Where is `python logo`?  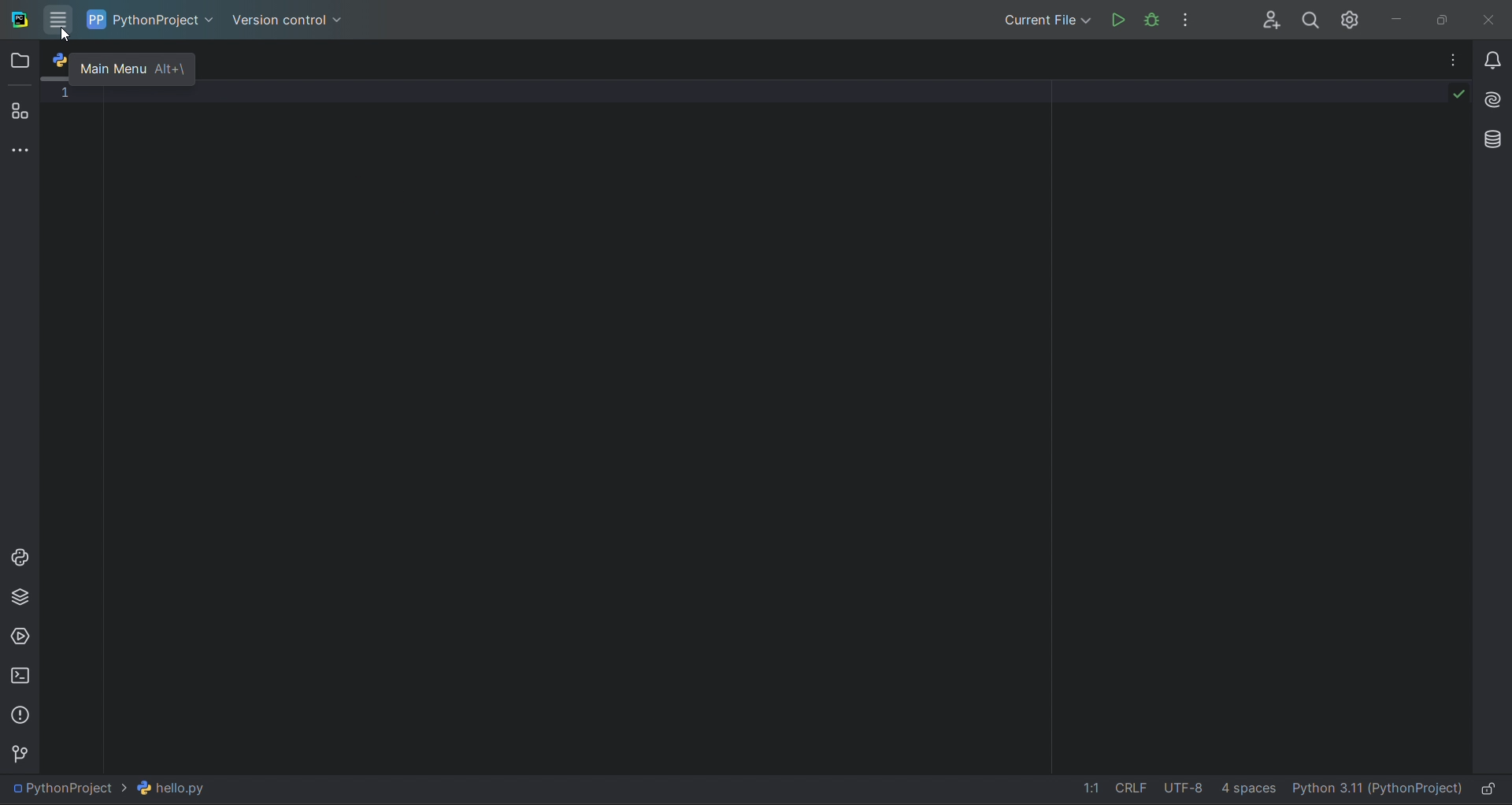
python logo is located at coordinates (60, 58).